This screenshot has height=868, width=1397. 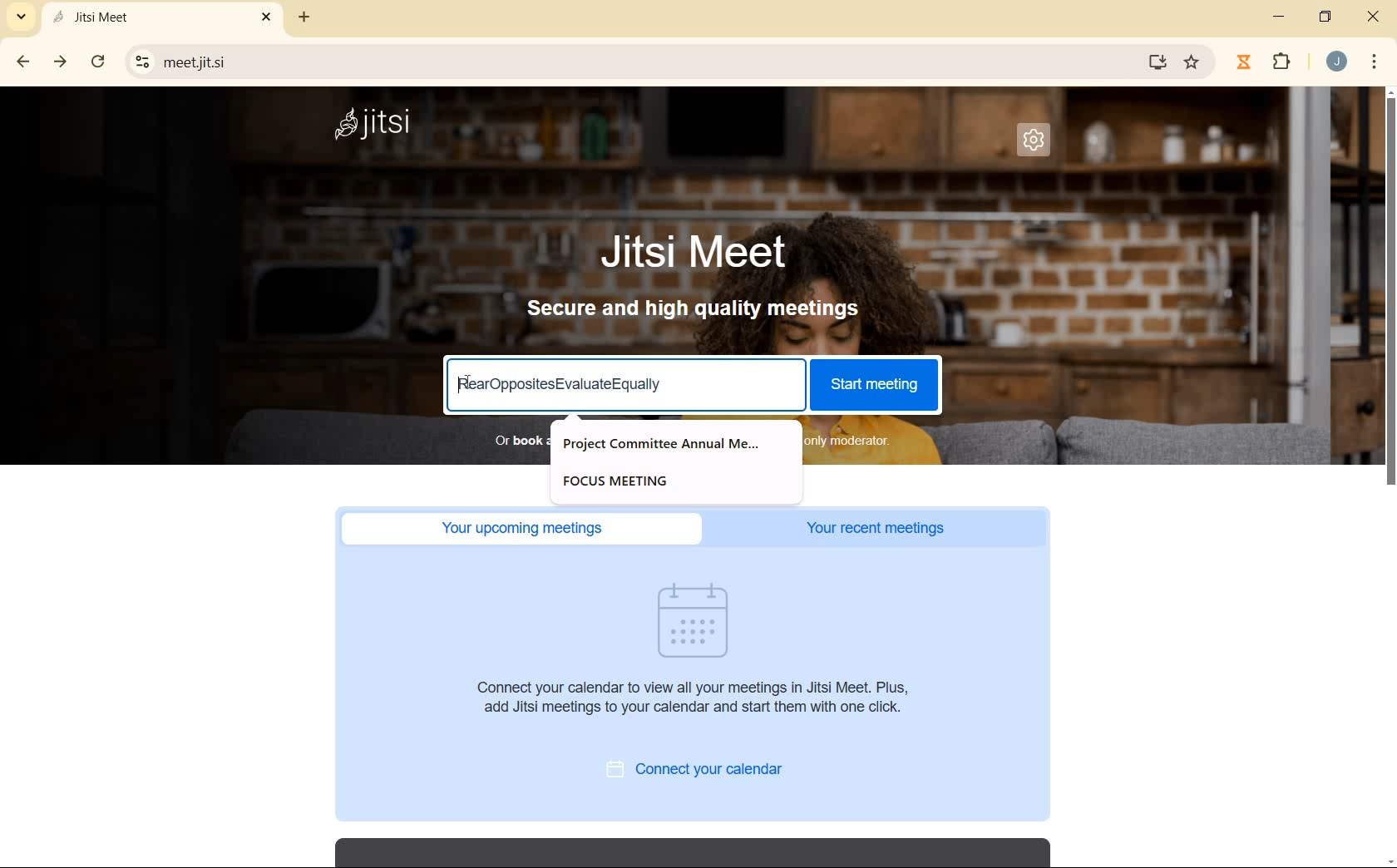 What do you see at coordinates (875, 384) in the screenshot?
I see `start meeting` at bounding box center [875, 384].